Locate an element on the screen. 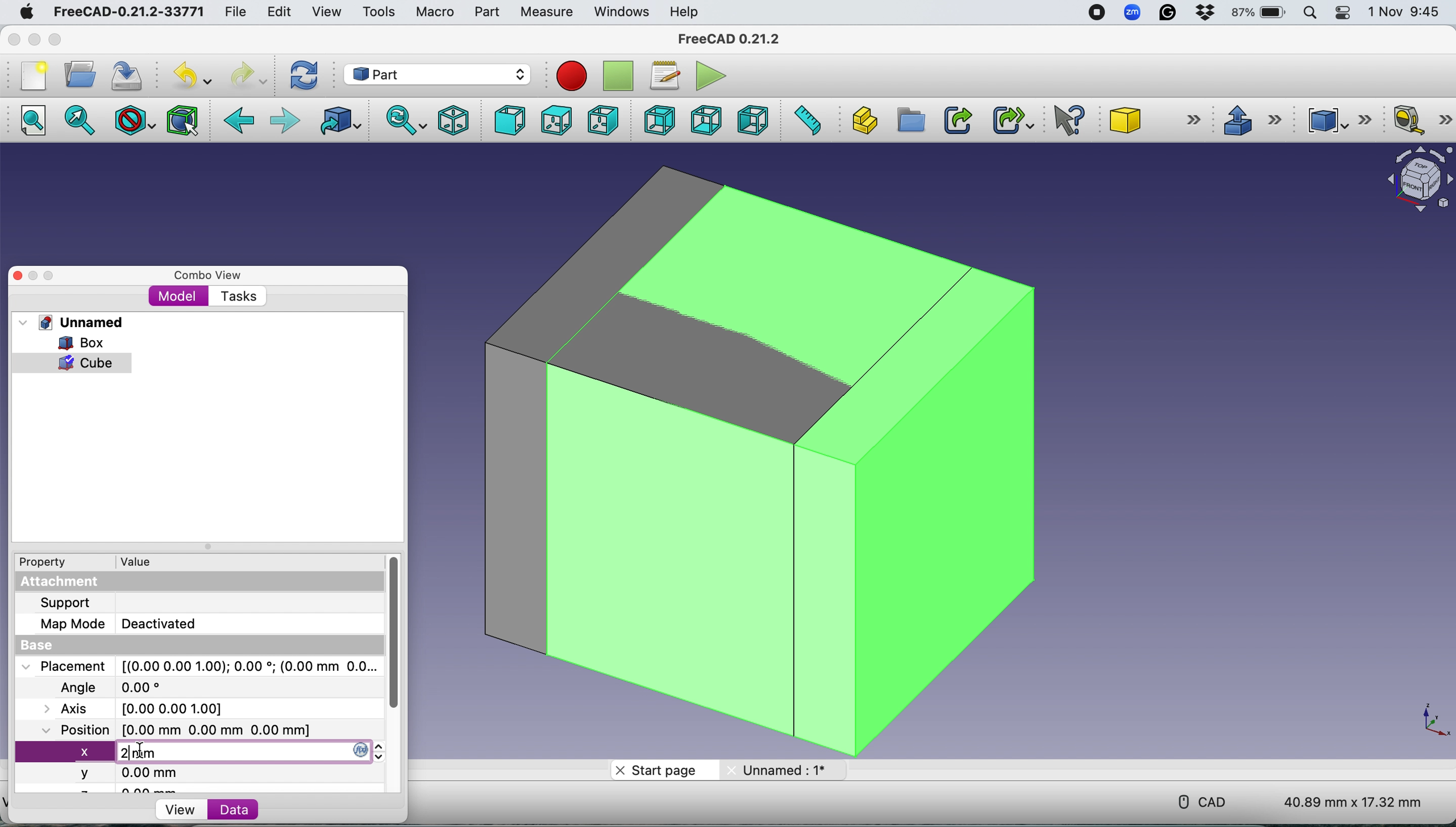 This screenshot has height=827, width=1456. Position [0.00 mm 0.00 mm 0.00 mm] is located at coordinates (173, 729).